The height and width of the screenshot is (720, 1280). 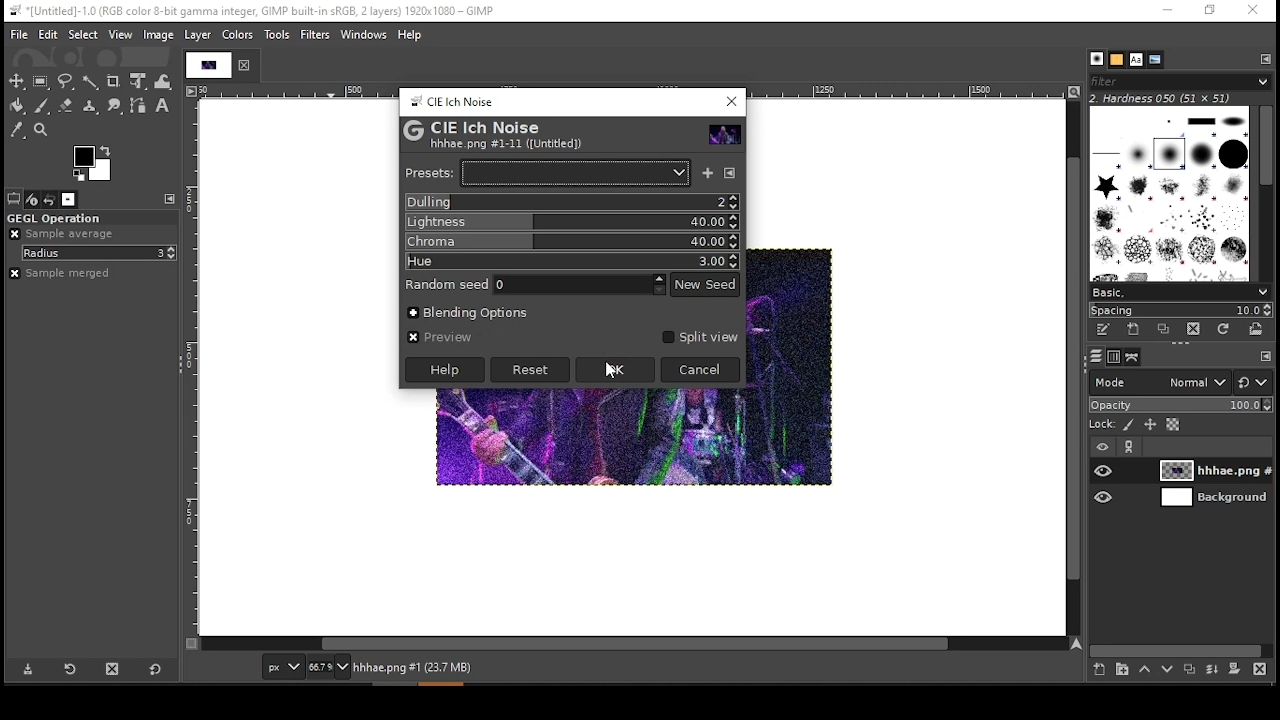 What do you see at coordinates (89, 219) in the screenshot?
I see `GEGL operation` at bounding box center [89, 219].